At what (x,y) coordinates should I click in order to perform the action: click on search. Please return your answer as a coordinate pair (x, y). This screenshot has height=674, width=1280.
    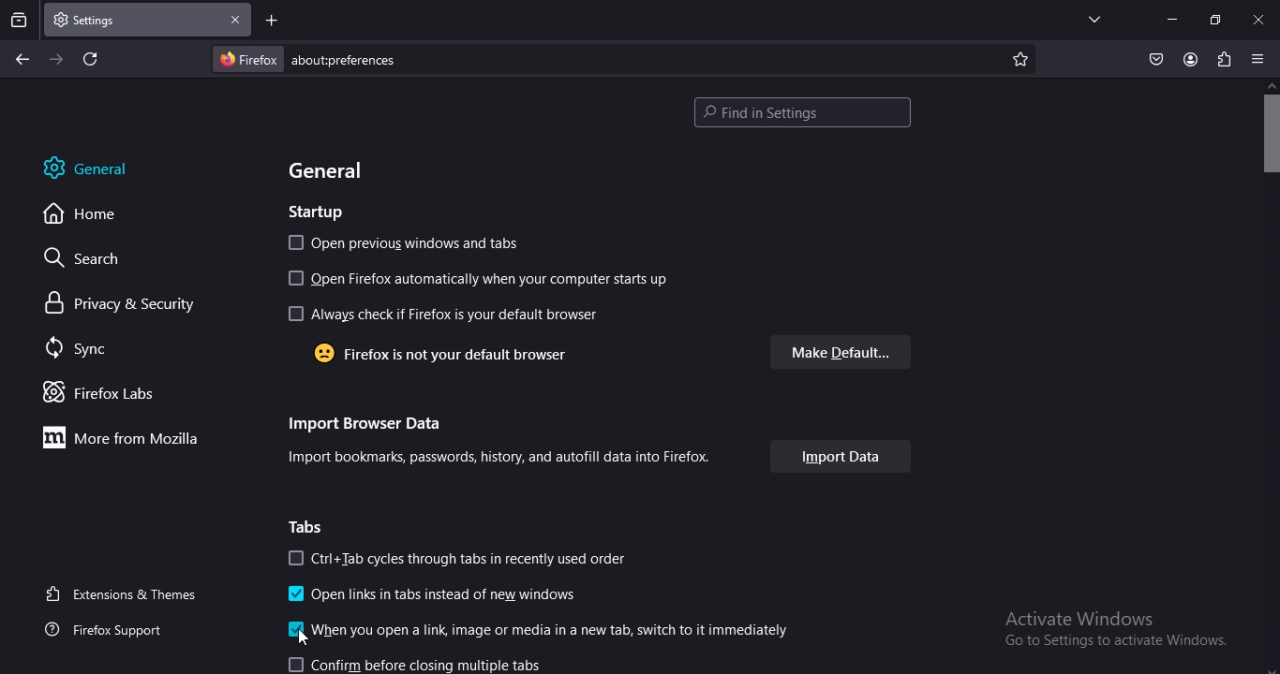
    Looking at the image, I should click on (94, 259).